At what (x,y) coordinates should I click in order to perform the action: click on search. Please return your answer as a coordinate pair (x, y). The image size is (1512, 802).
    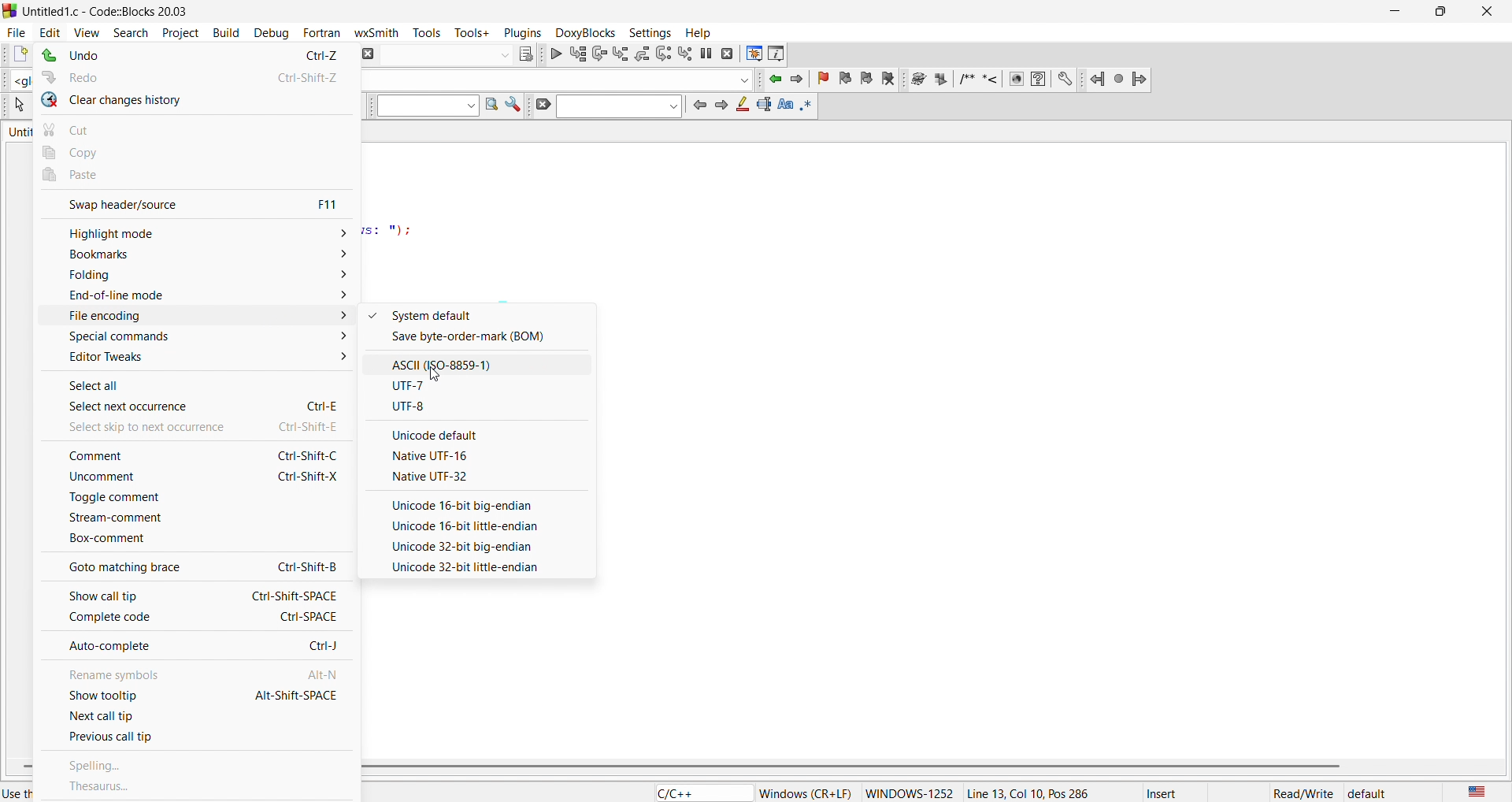
    Looking at the image, I should click on (487, 105).